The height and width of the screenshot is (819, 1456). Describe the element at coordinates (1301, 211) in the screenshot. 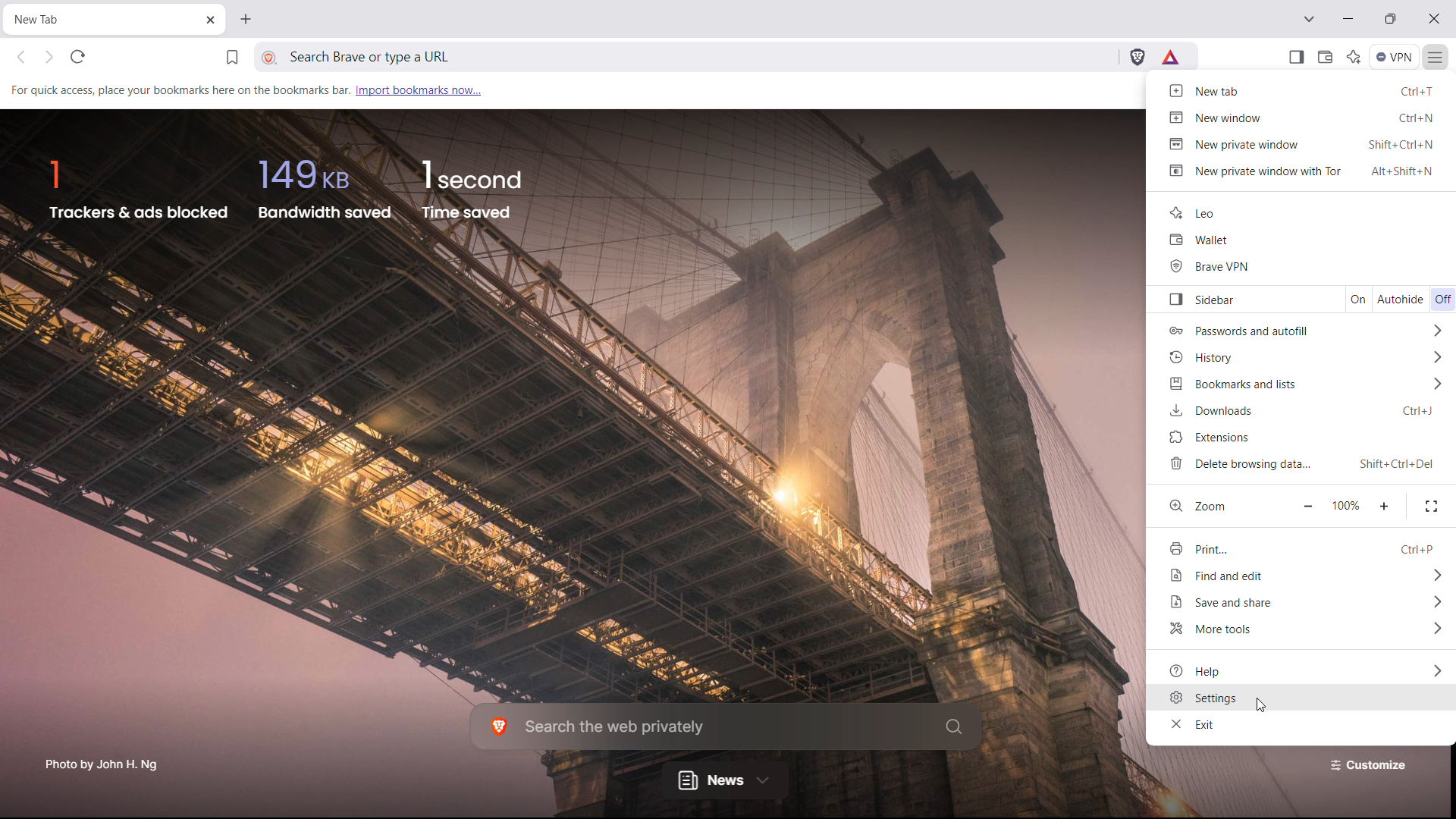

I see `leo` at that location.